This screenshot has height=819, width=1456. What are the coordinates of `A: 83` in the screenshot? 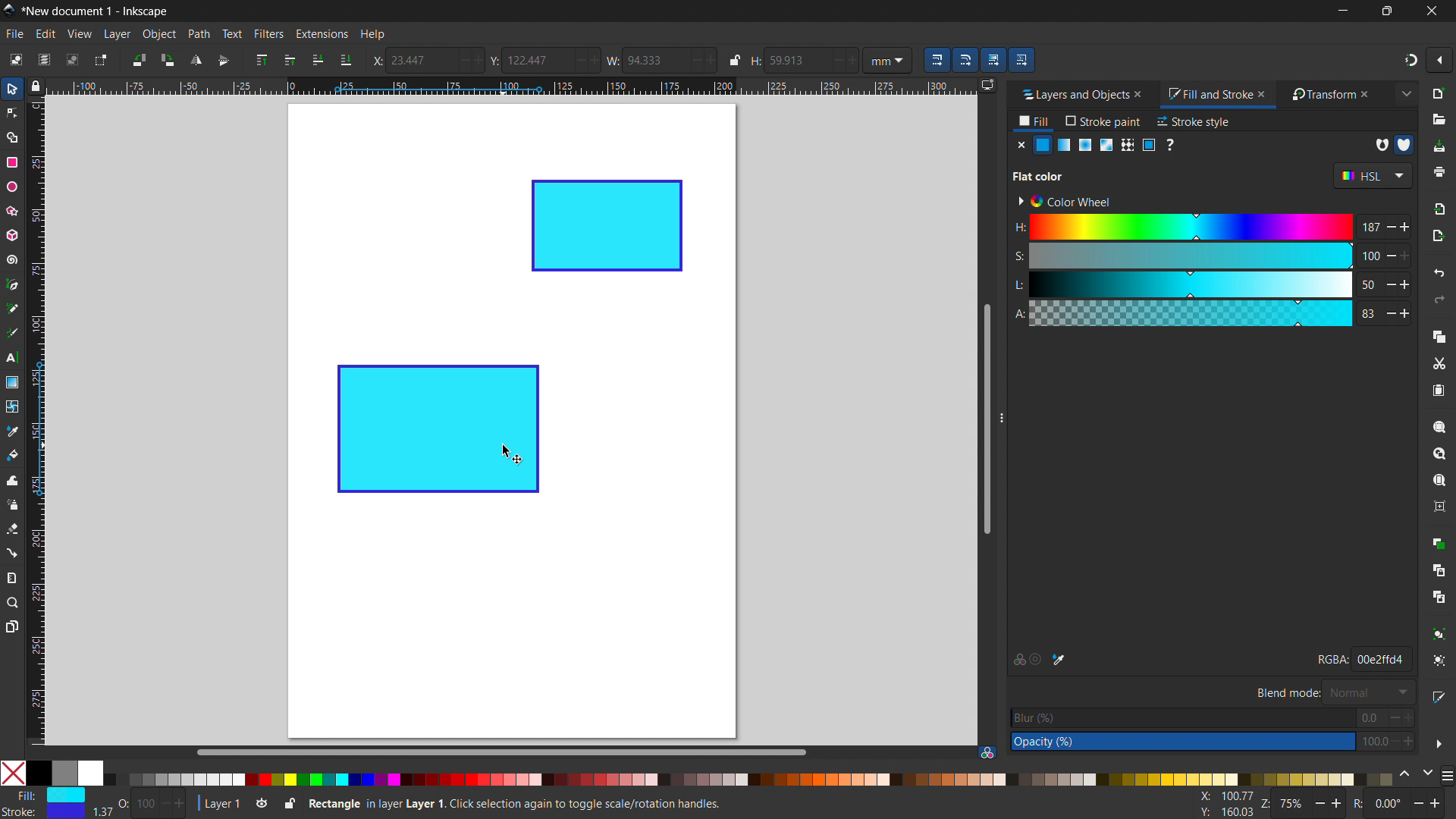 It's located at (1210, 312).